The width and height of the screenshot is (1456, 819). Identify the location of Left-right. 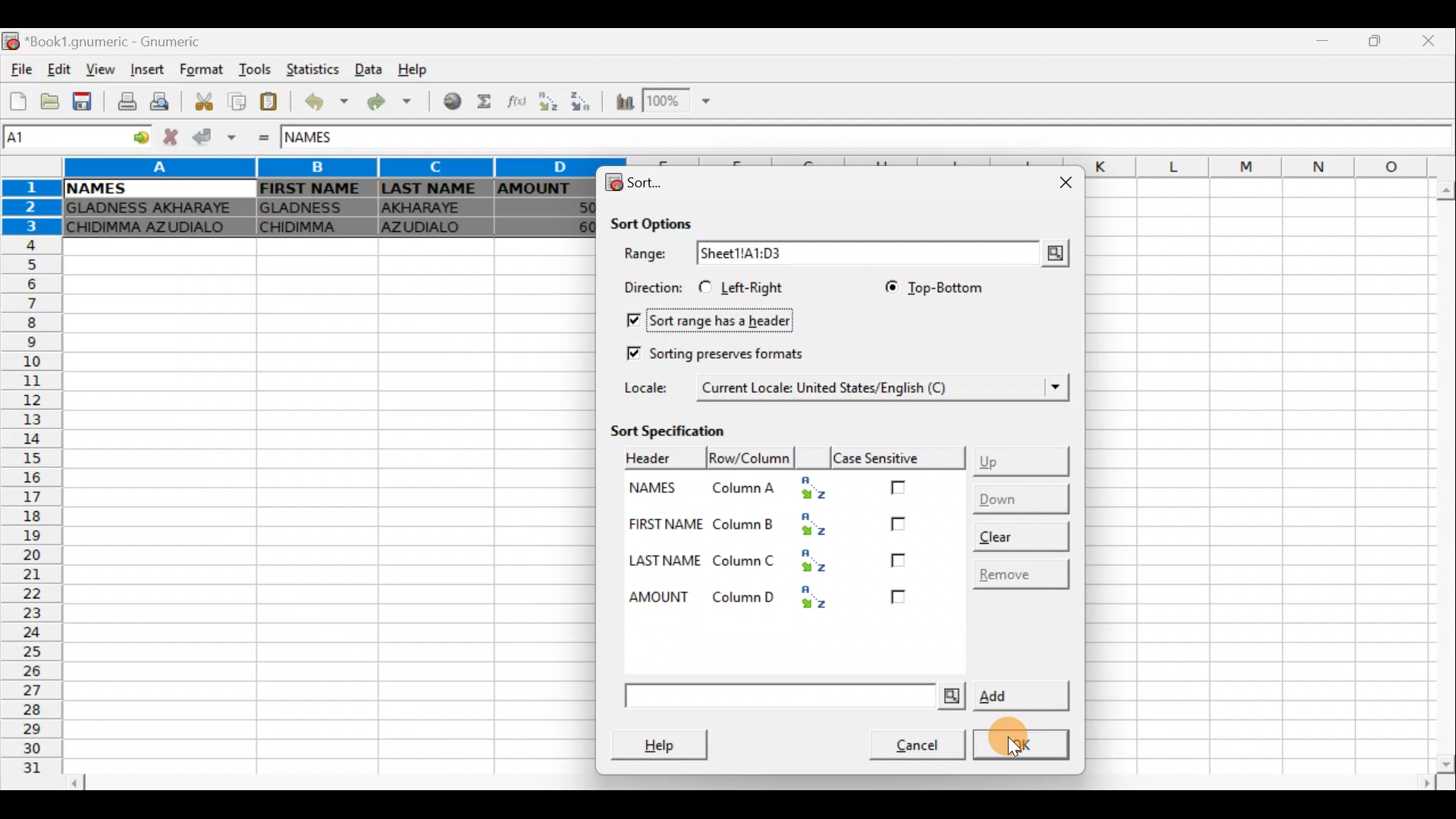
(748, 287).